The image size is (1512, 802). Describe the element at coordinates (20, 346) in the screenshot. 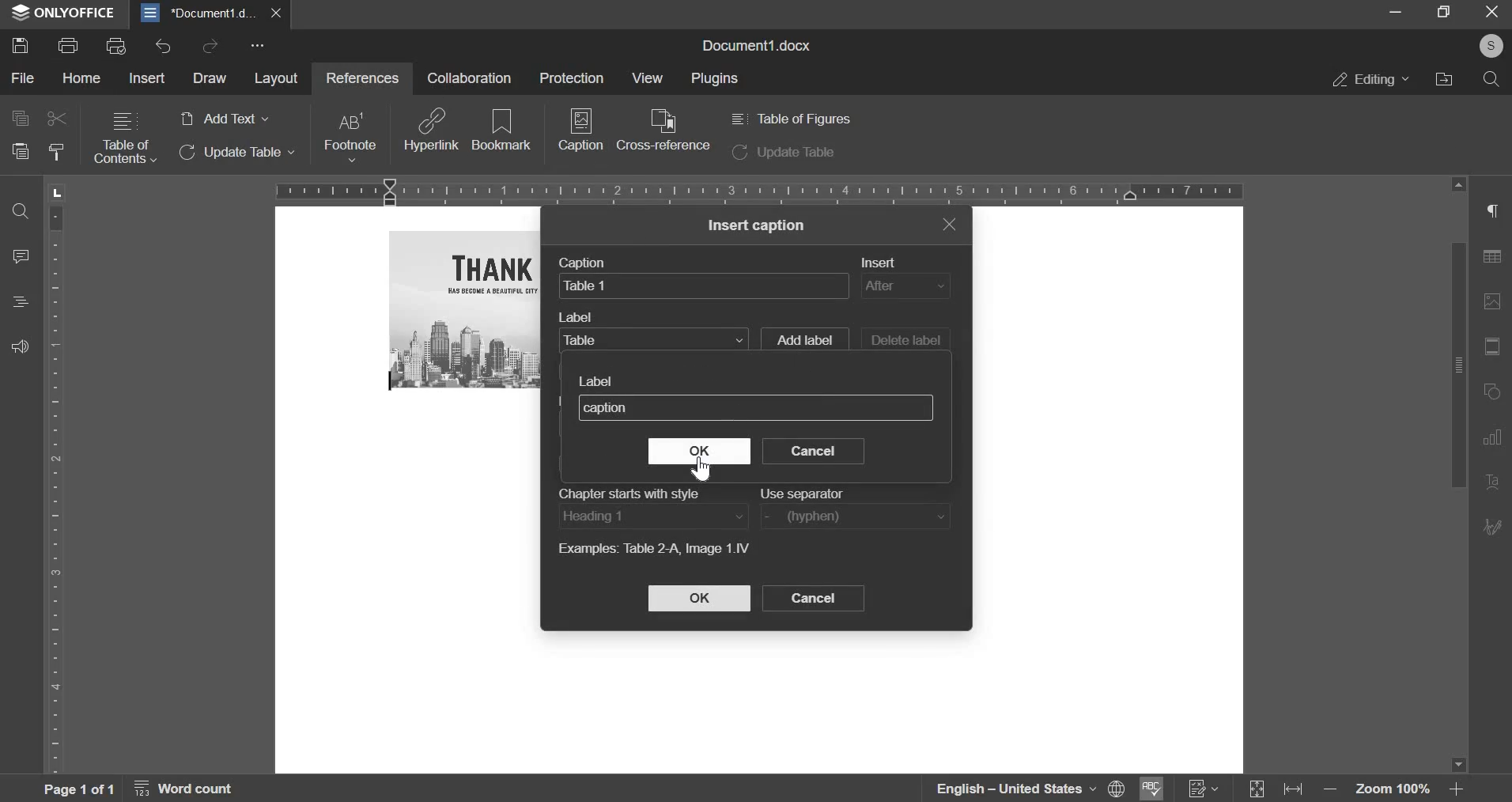

I see `feedback` at that location.